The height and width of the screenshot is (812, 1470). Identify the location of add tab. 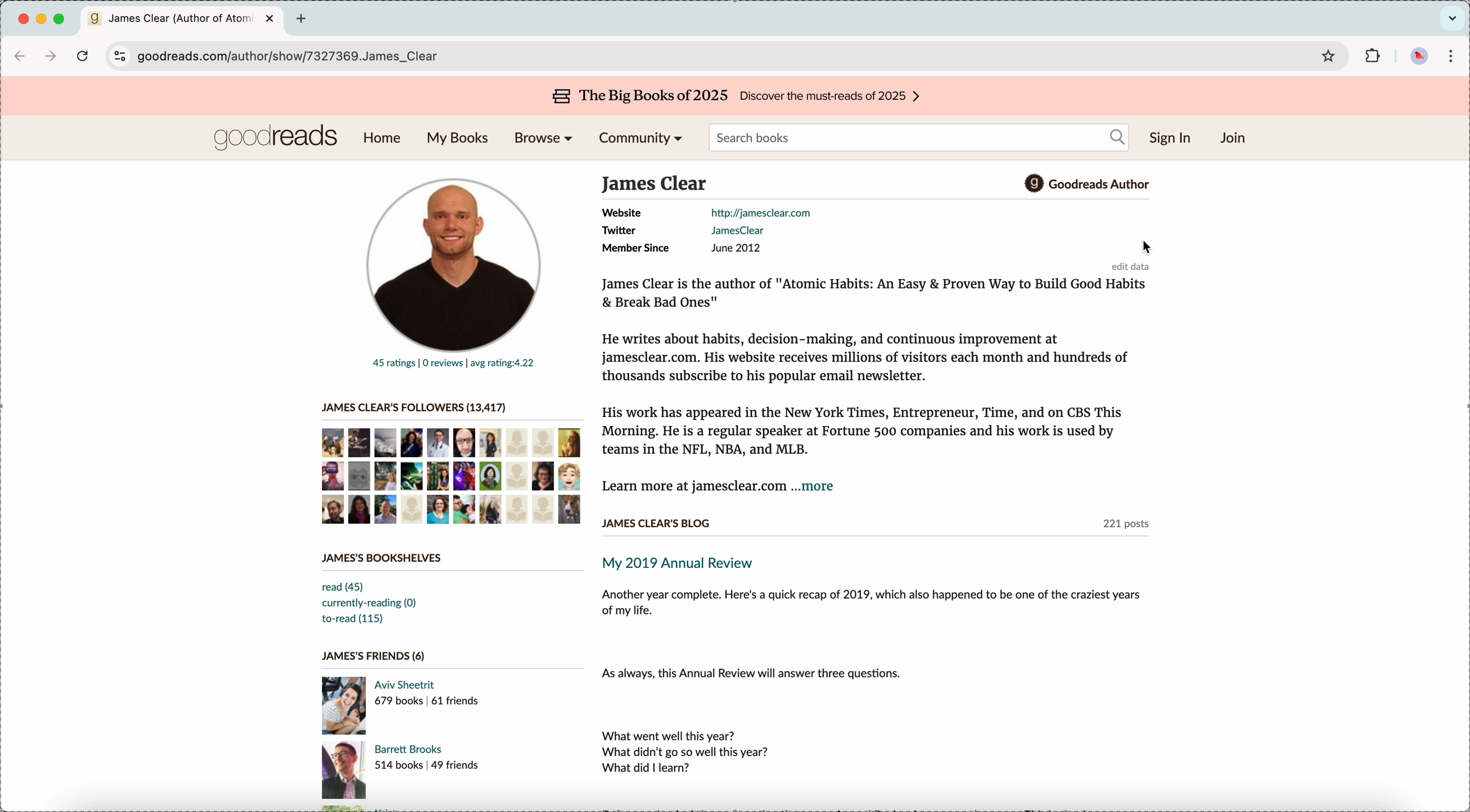
(303, 19).